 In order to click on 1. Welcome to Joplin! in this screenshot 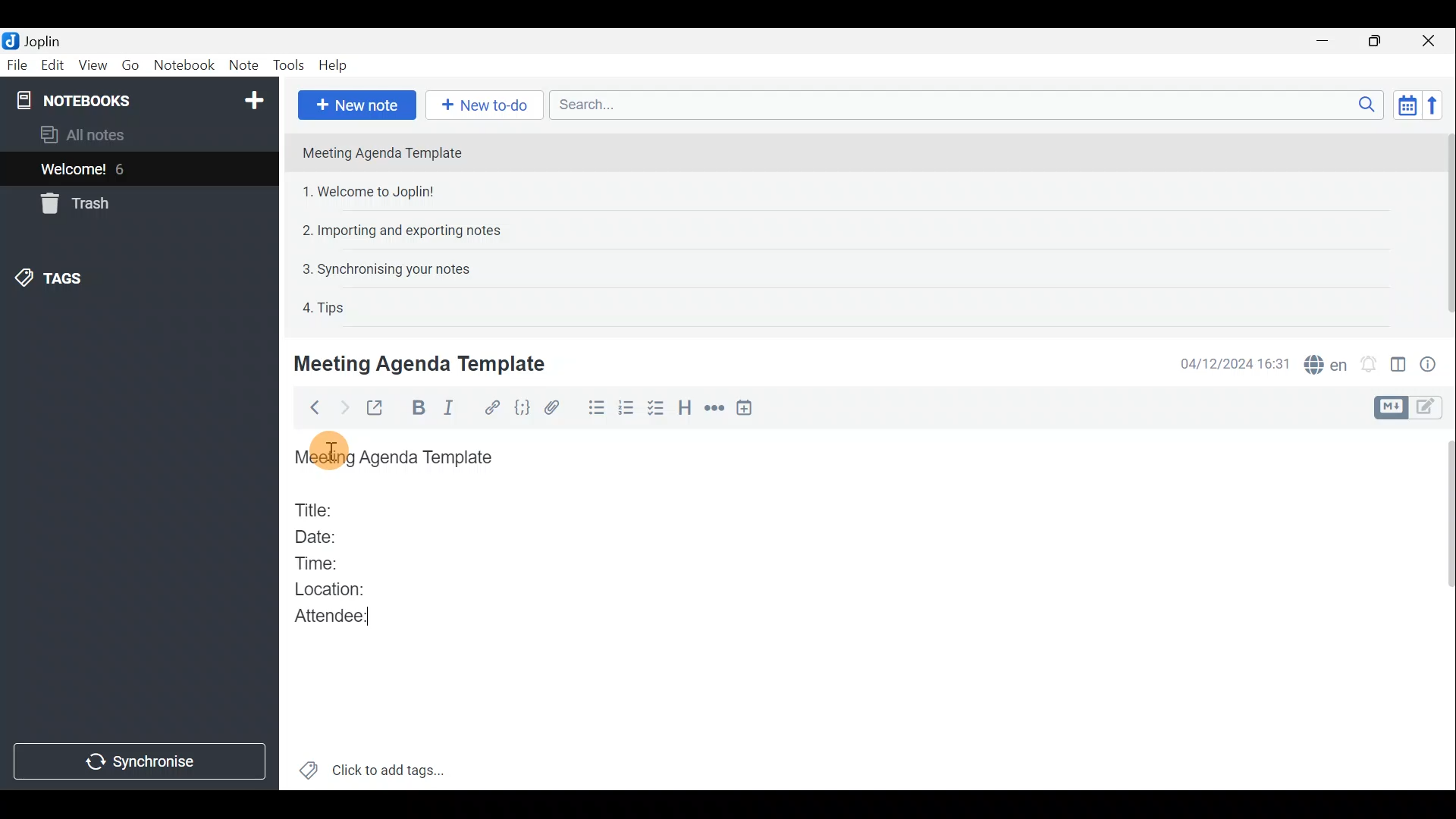, I will do `click(373, 191)`.